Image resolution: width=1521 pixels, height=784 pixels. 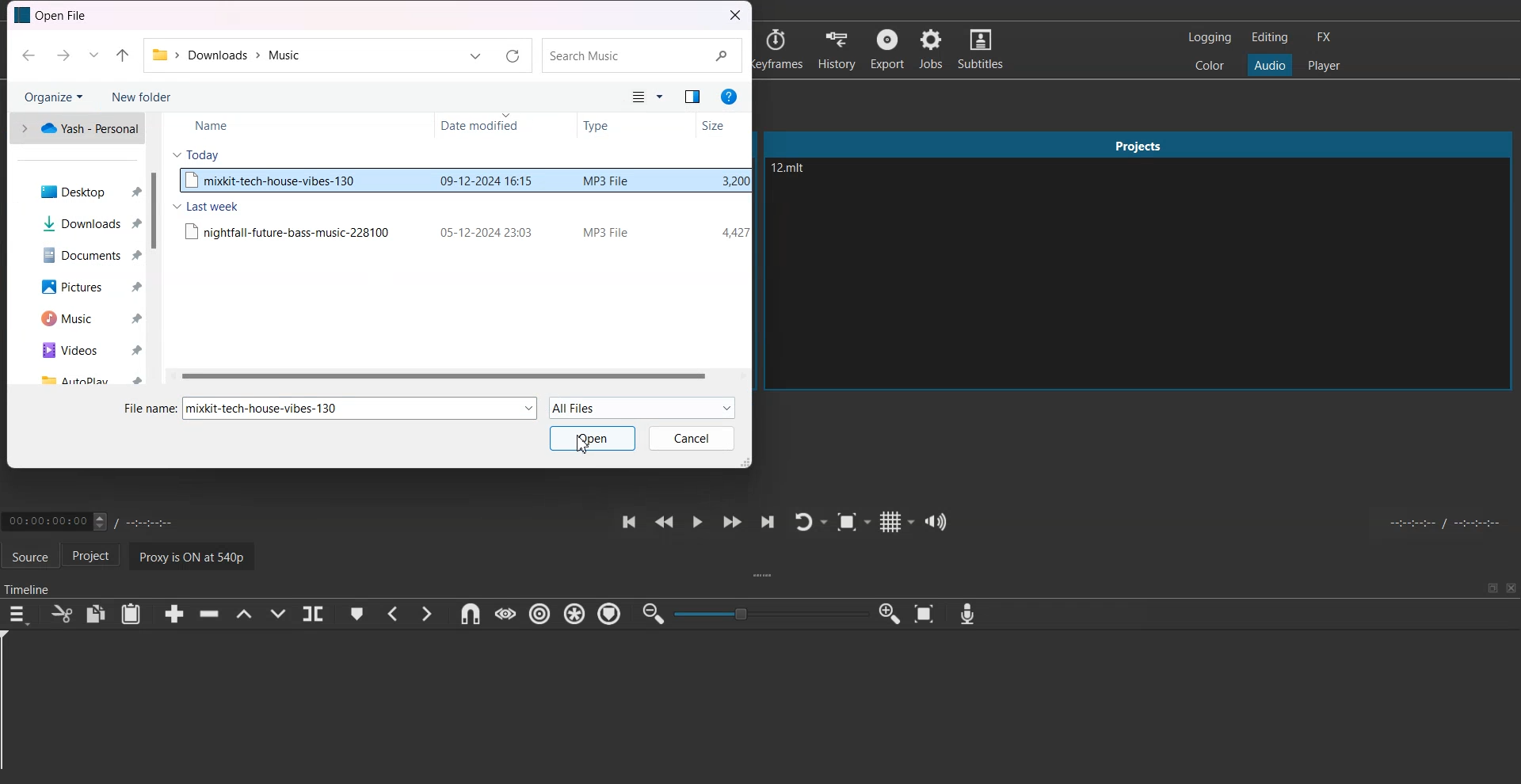 I want to click on Text, so click(x=269, y=408).